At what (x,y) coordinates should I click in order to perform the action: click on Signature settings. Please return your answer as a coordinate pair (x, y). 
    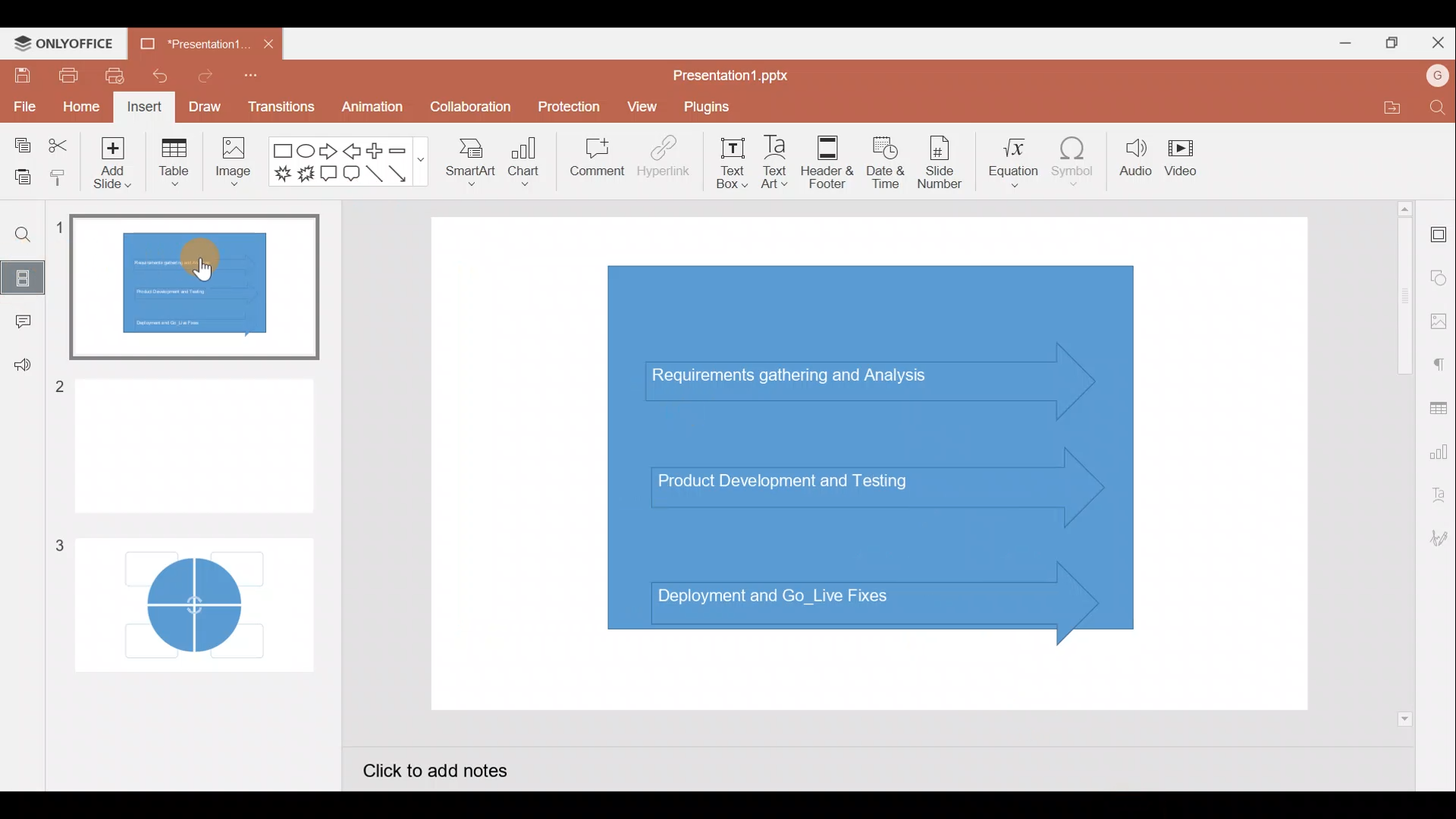
    Looking at the image, I should click on (1436, 538).